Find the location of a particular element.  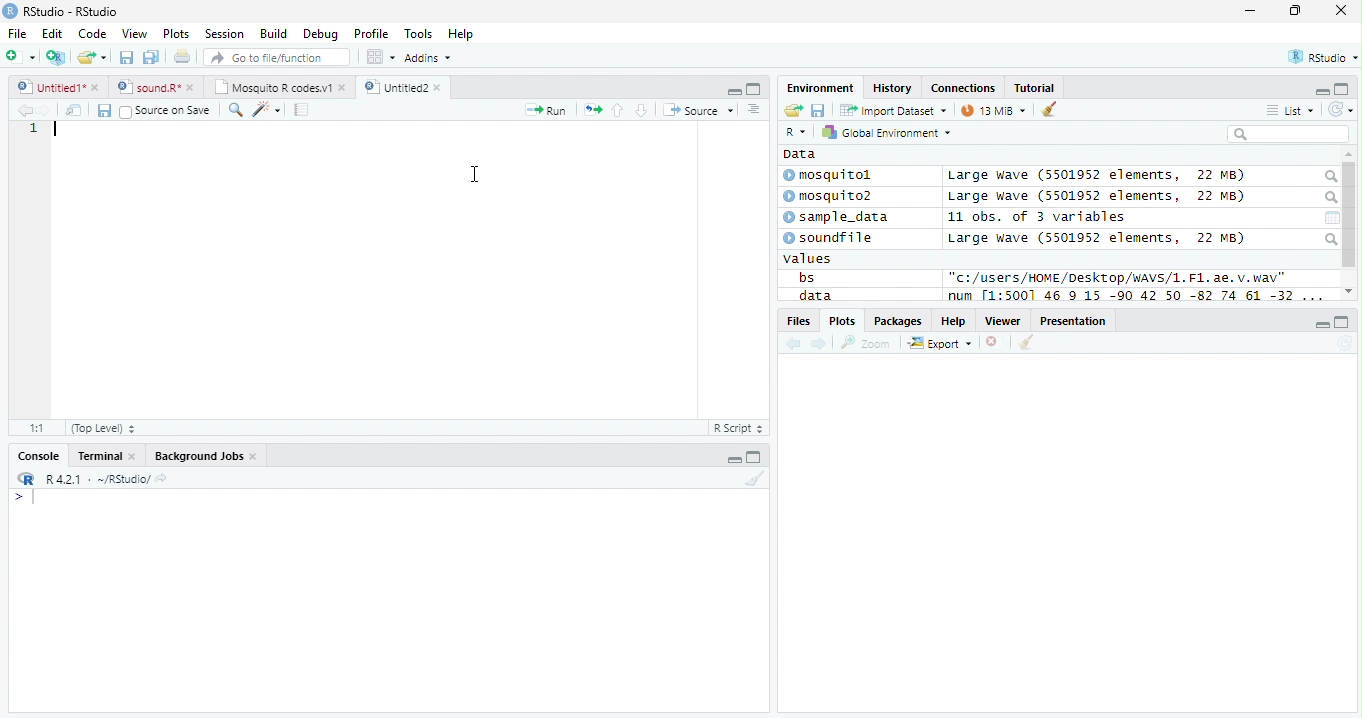

Help is located at coordinates (954, 320).